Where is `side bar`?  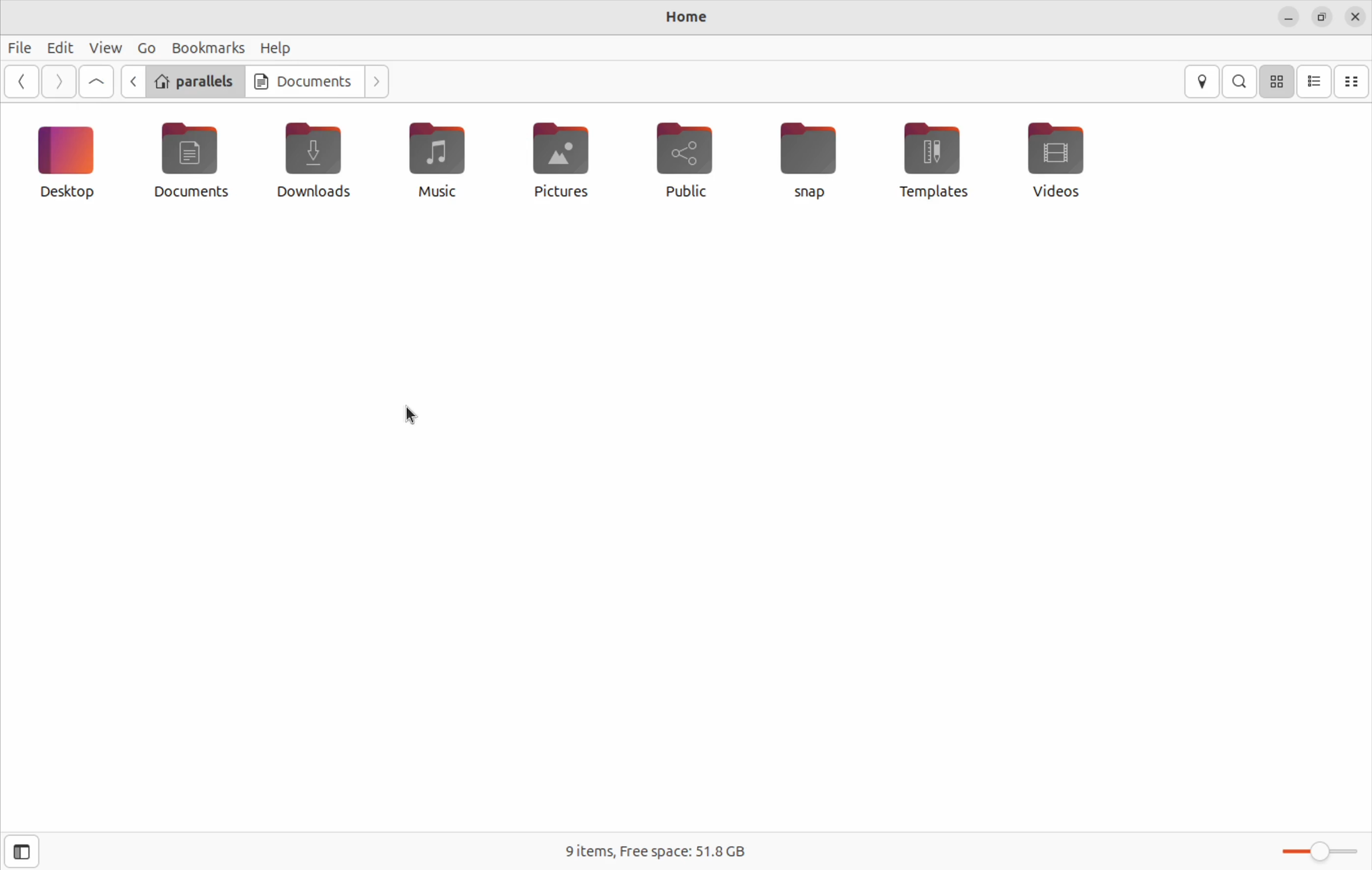 side bar is located at coordinates (19, 852).